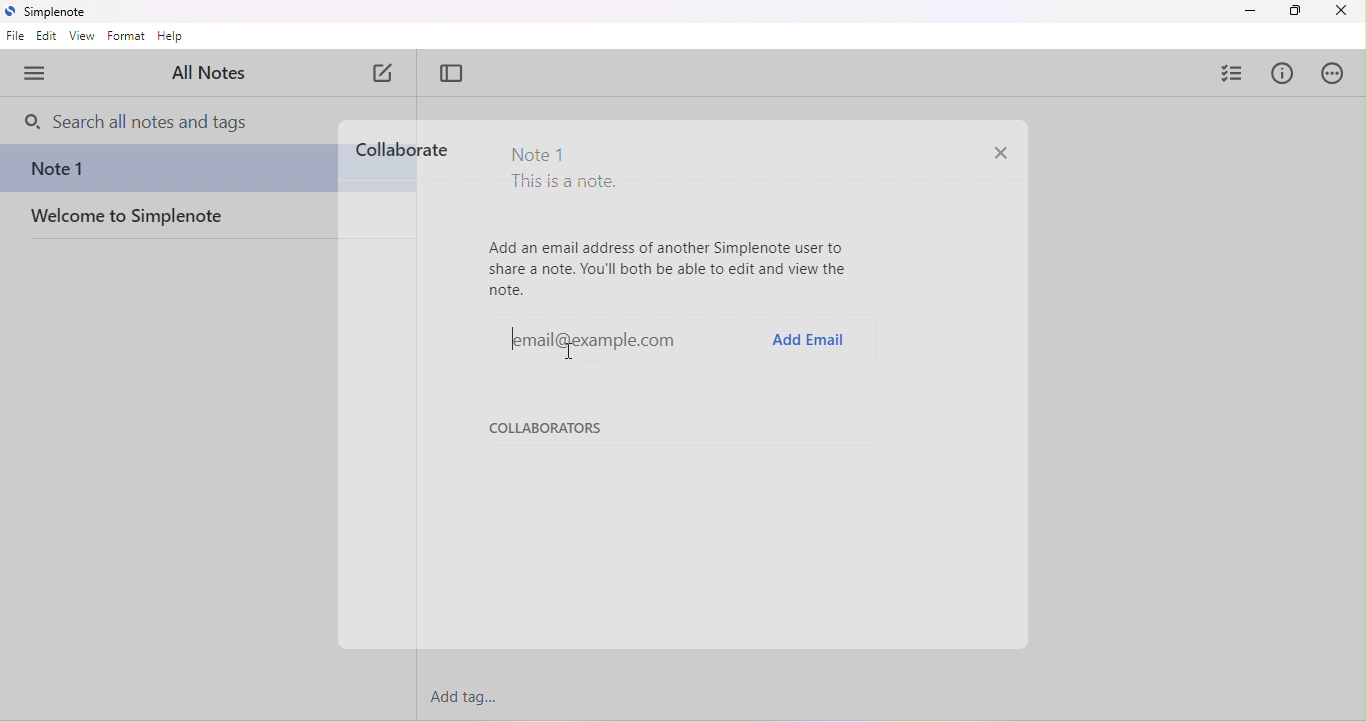 This screenshot has width=1366, height=722. Describe the element at coordinates (464, 697) in the screenshot. I see `add tag` at that location.